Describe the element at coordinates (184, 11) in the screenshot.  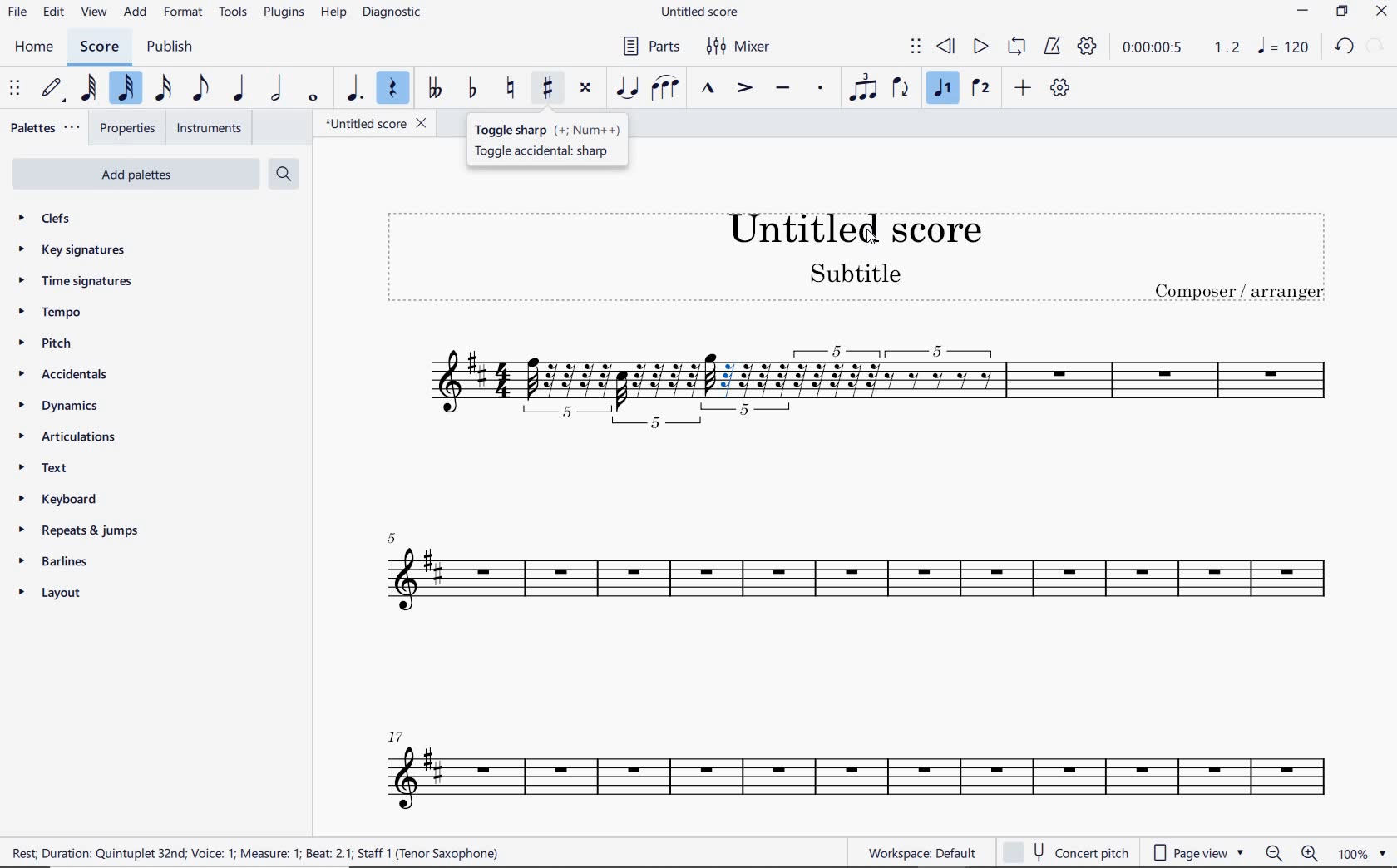
I see `FORMAT` at that location.